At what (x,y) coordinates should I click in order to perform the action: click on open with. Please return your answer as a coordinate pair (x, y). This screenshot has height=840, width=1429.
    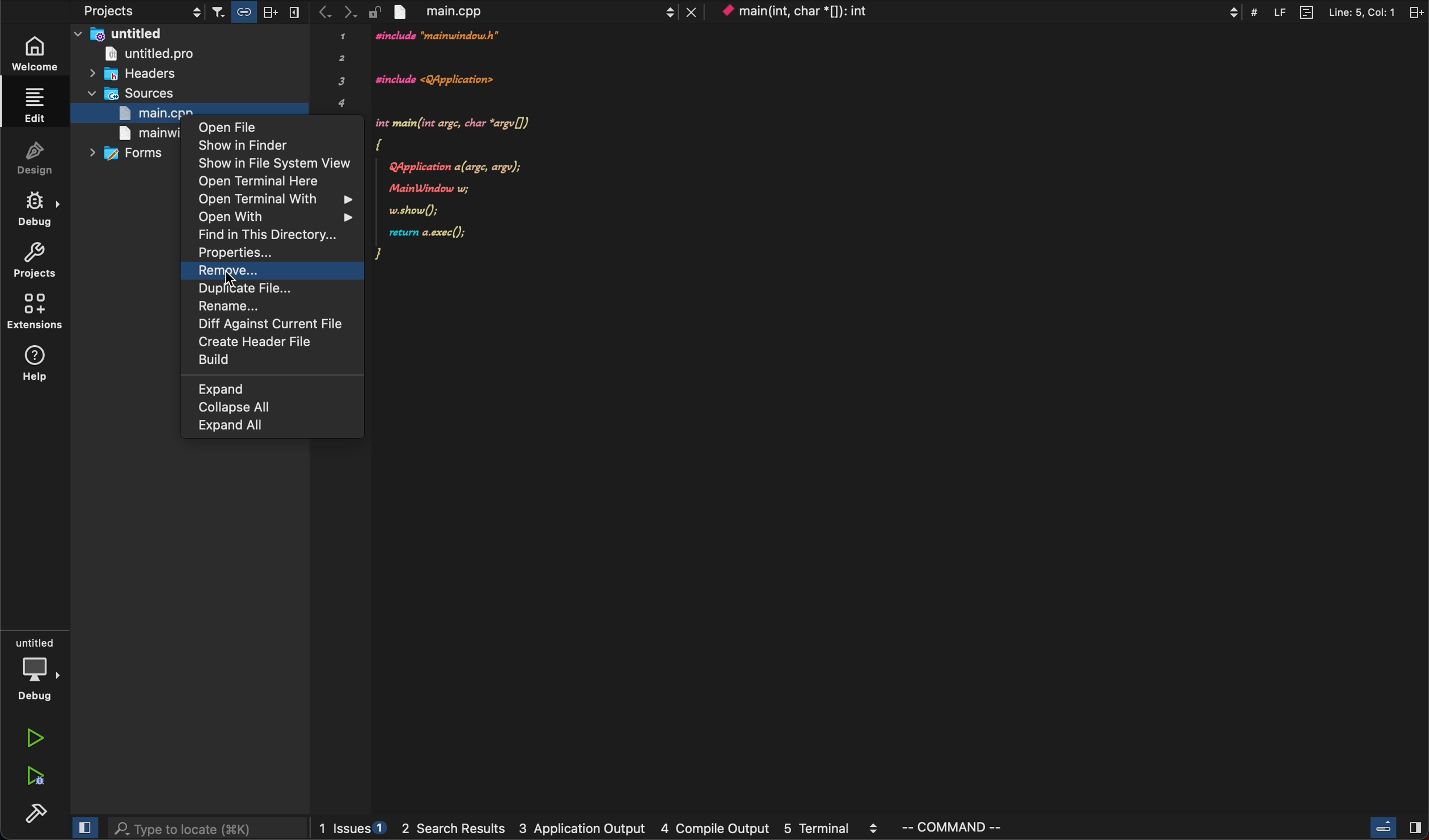
    Looking at the image, I should click on (273, 219).